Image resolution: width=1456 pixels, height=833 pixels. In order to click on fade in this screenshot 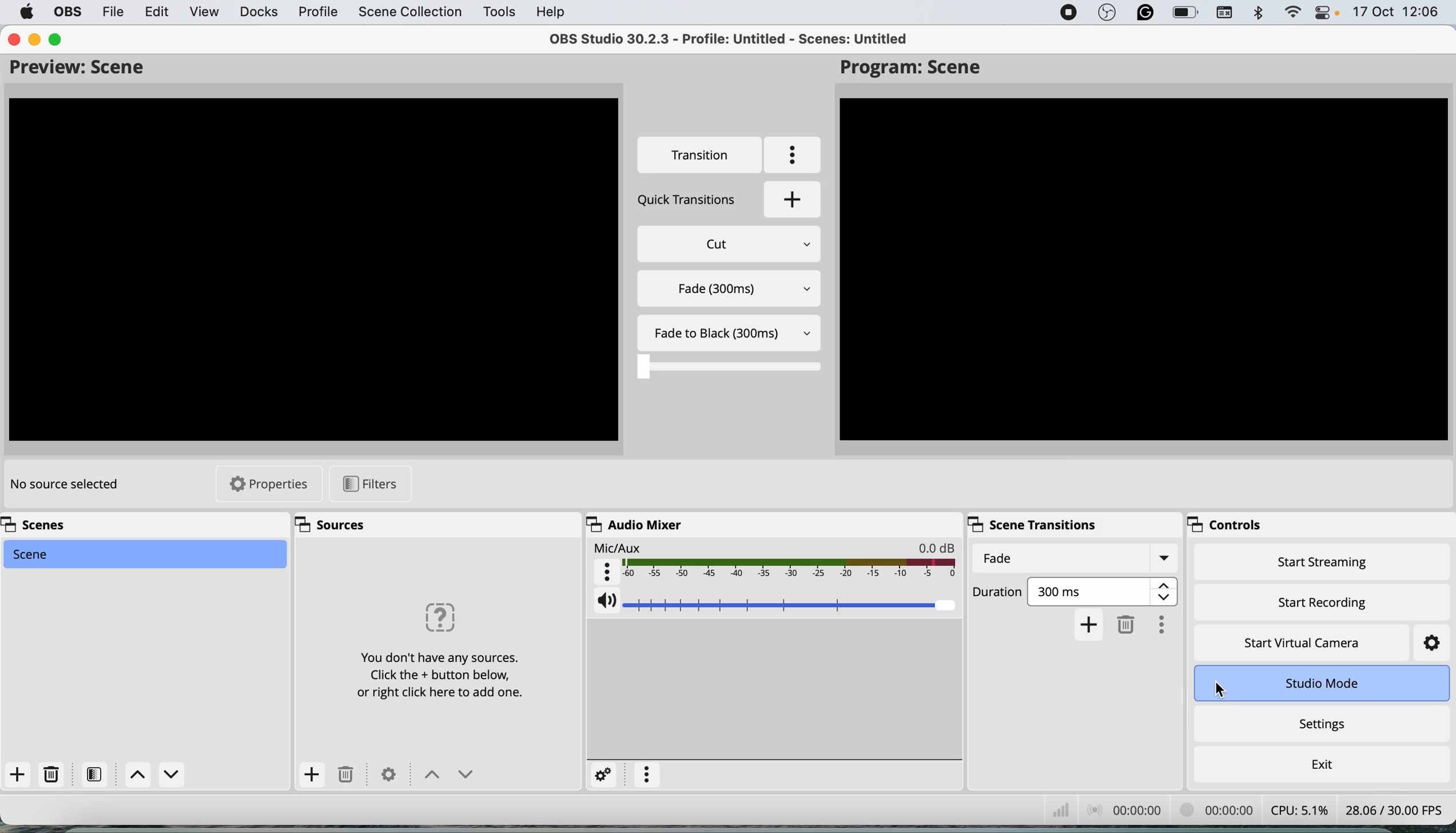, I will do `click(727, 288)`.